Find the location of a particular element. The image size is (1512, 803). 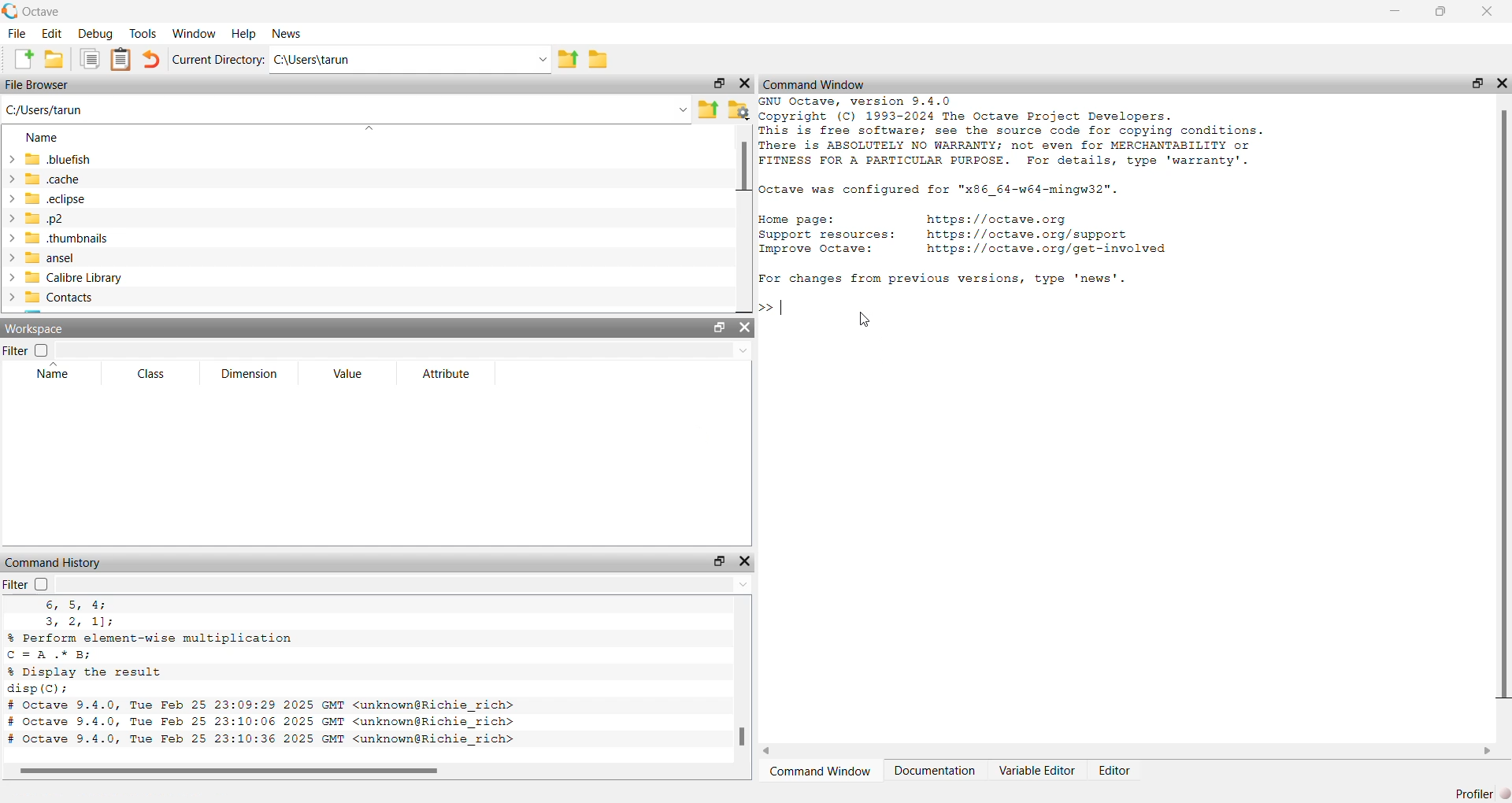

Restore Down is located at coordinates (721, 327).